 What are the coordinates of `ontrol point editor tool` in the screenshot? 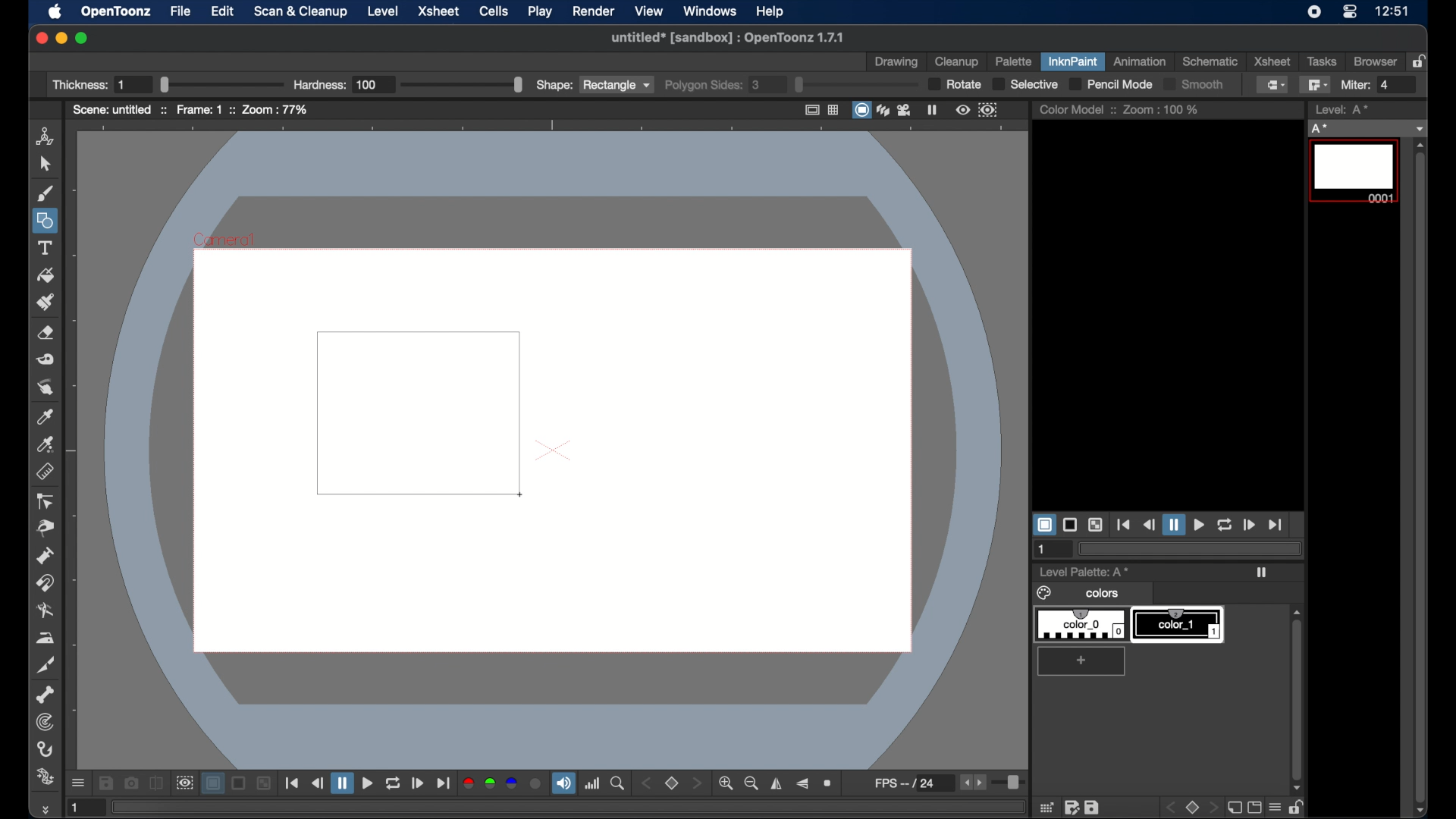 It's located at (45, 501).